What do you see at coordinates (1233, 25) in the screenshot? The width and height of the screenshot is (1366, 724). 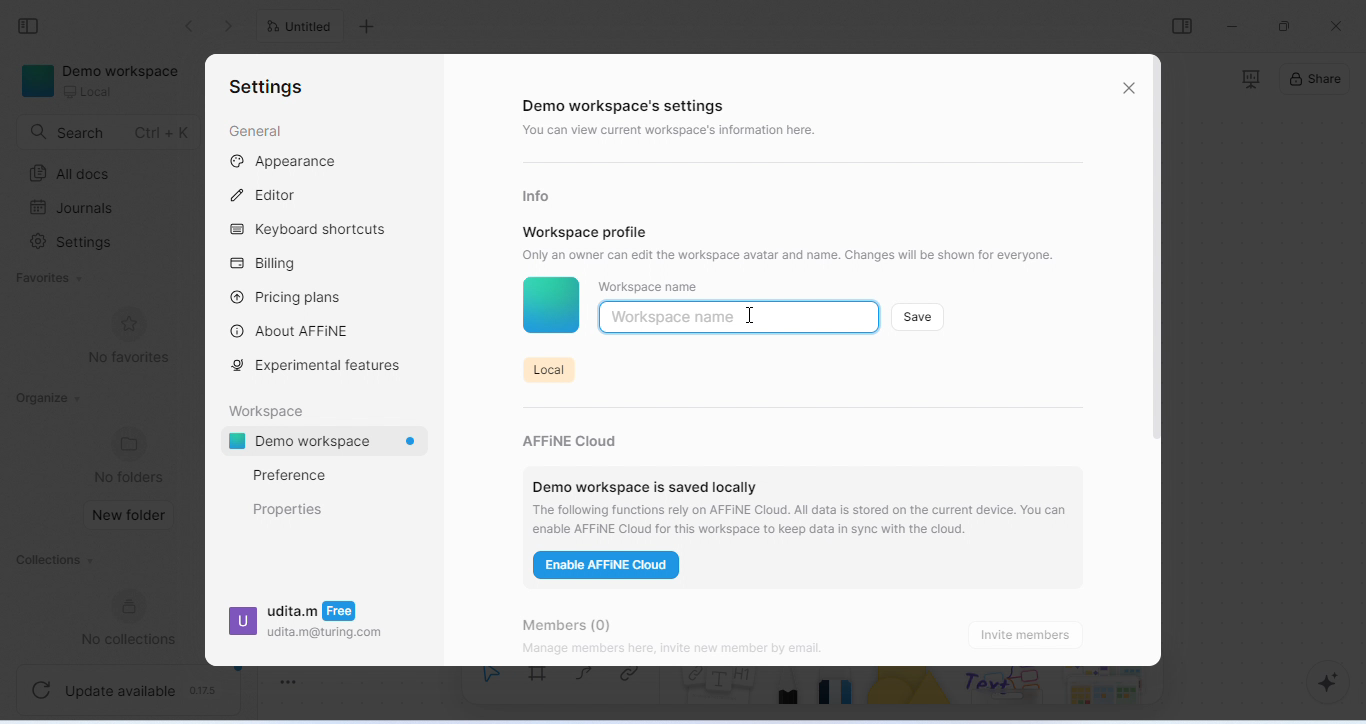 I see `minimize` at bounding box center [1233, 25].